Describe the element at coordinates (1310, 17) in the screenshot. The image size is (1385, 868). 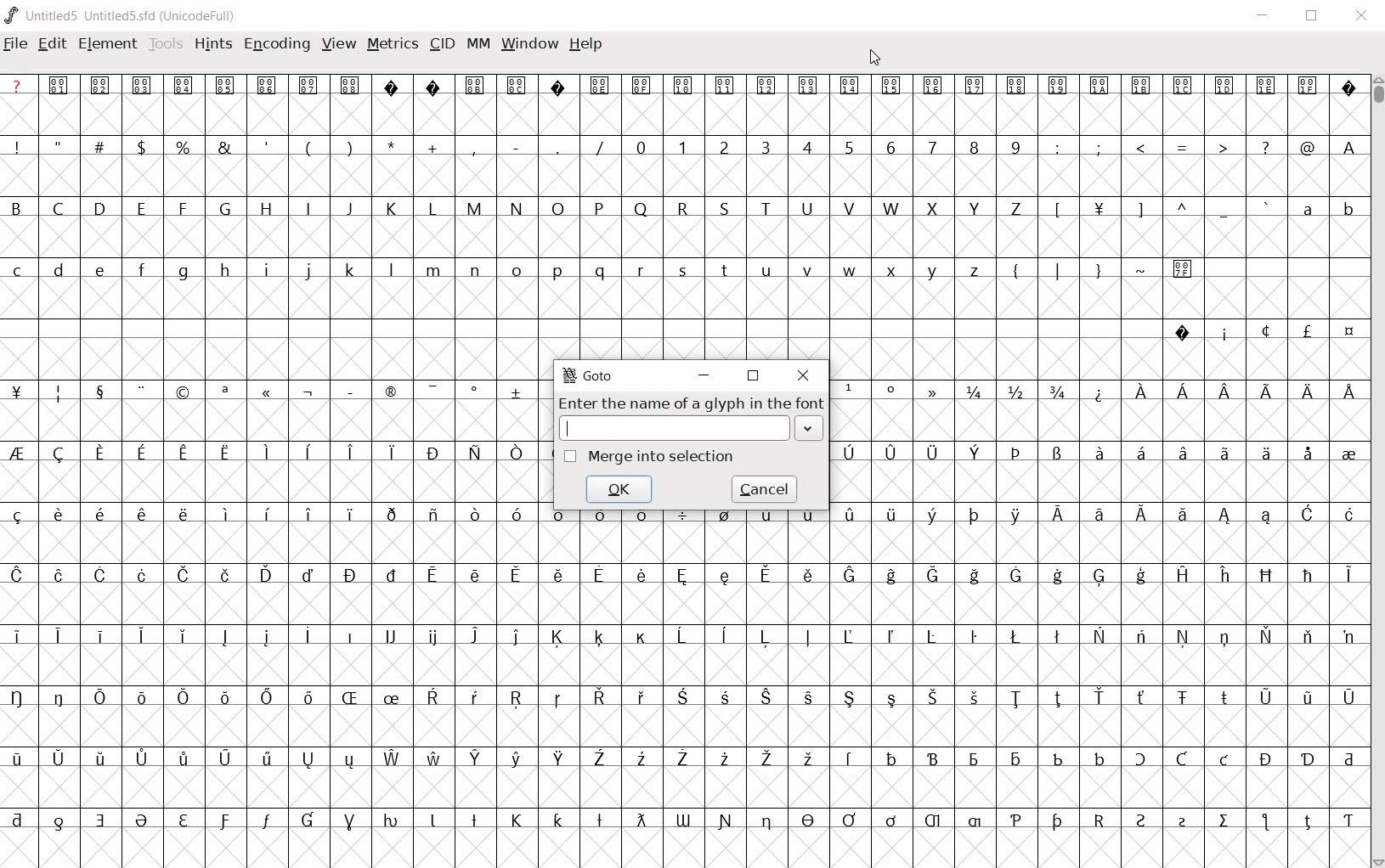
I see `maximize` at that location.